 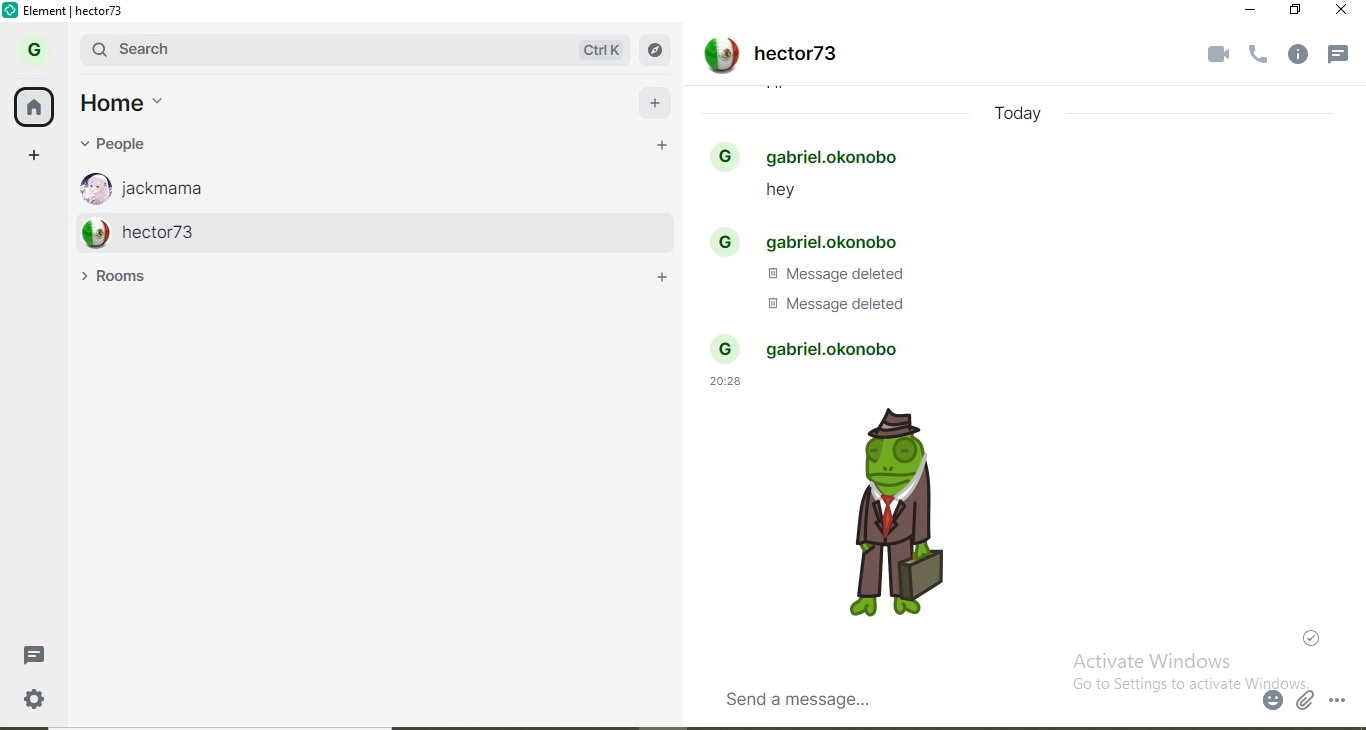 What do you see at coordinates (1296, 10) in the screenshot?
I see `restore` at bounding box center [1296, 10].